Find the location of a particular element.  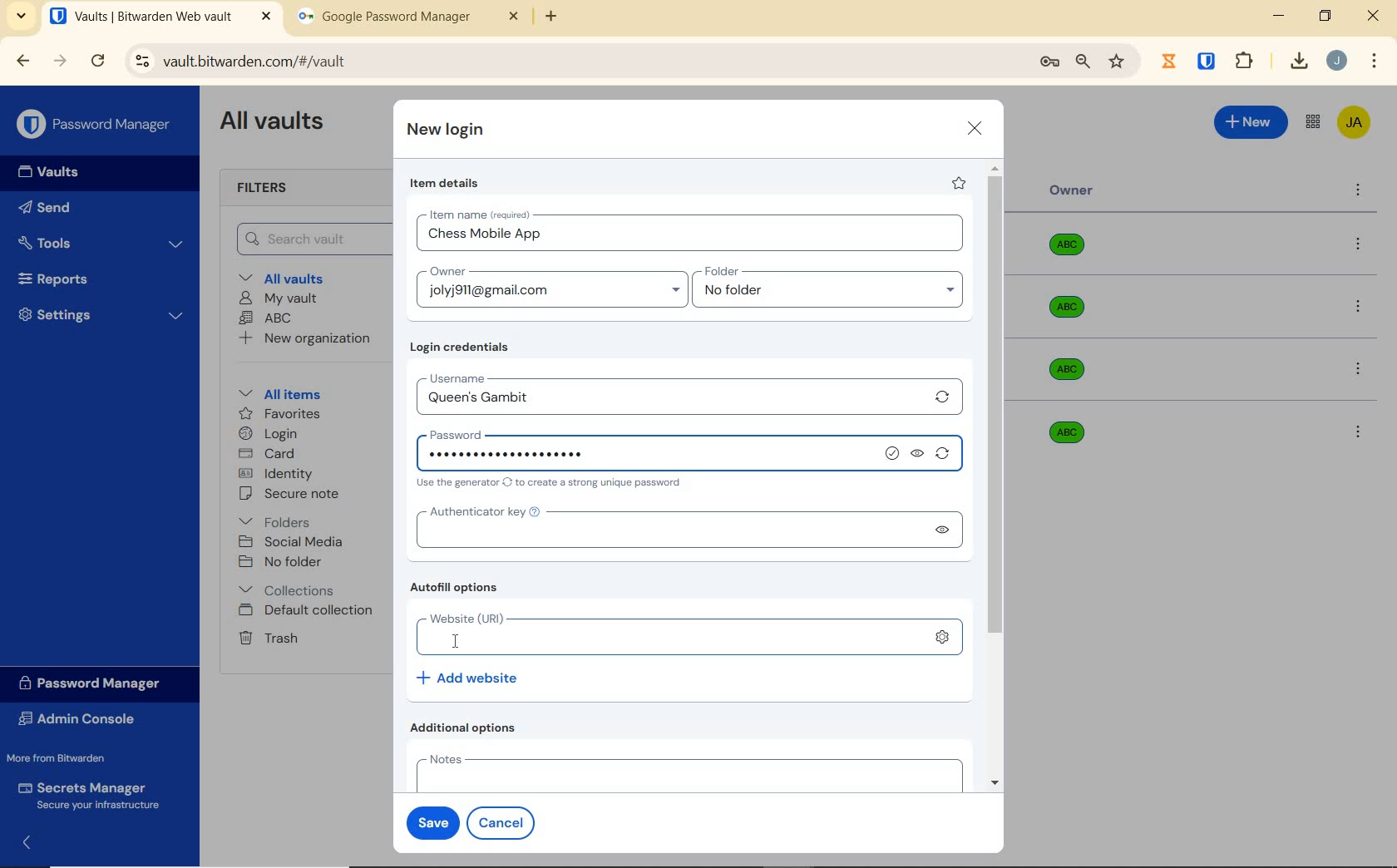

unhide is located at coordinates (940, 530).